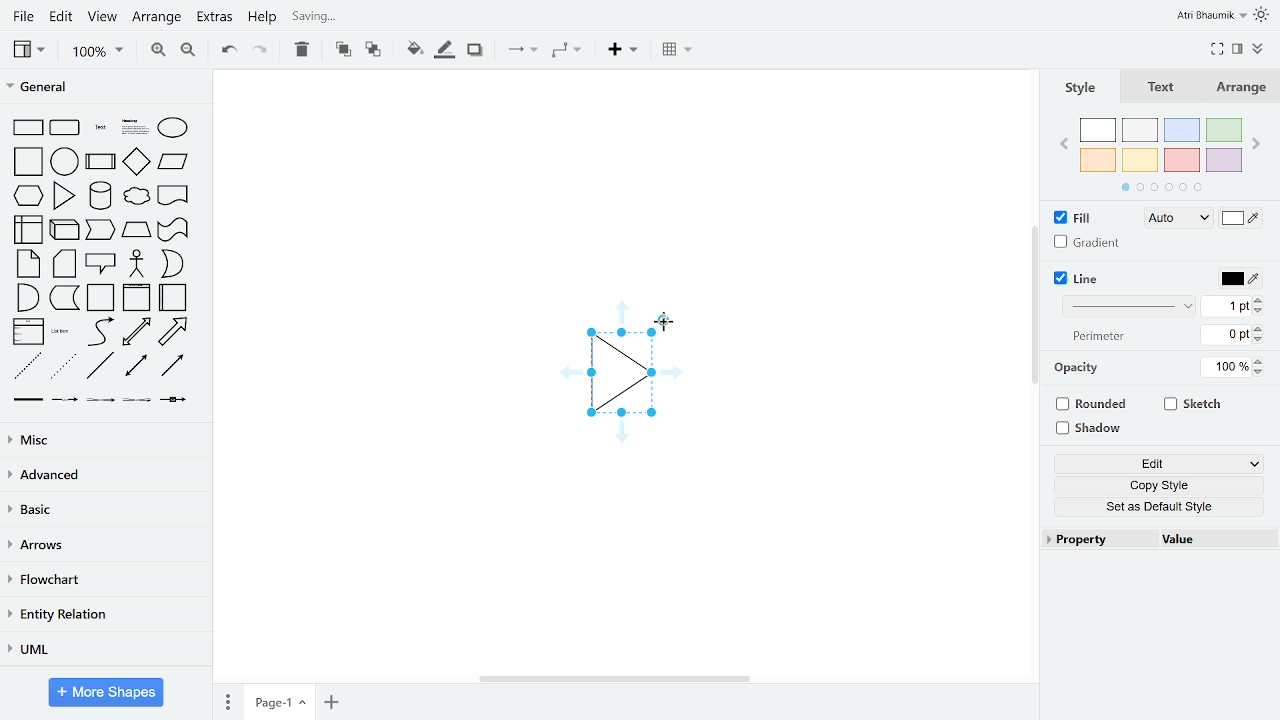 This screenshot has height=720, width=1280. What do you see at coordinates (27, 367) in the screenshot?
I see `dashed line` at bounding box center [27, 367].